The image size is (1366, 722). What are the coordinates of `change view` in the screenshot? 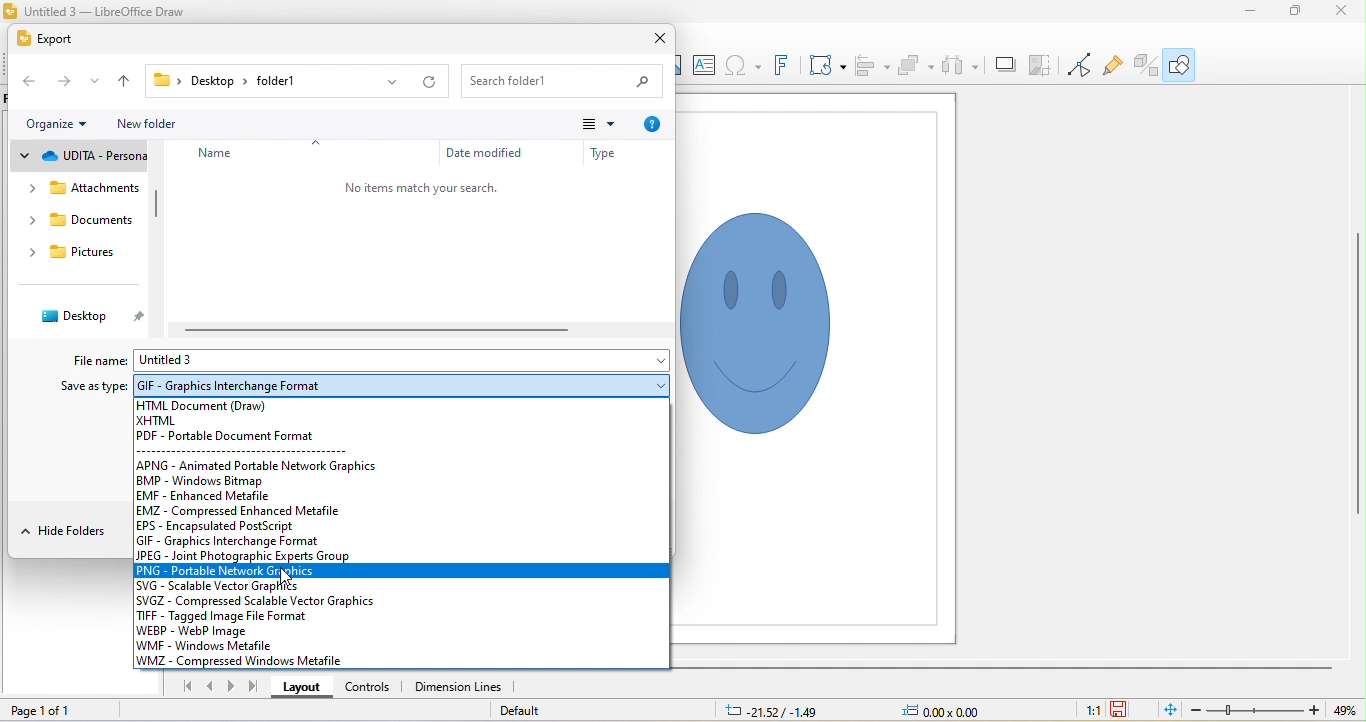 It's located at (601, 125).